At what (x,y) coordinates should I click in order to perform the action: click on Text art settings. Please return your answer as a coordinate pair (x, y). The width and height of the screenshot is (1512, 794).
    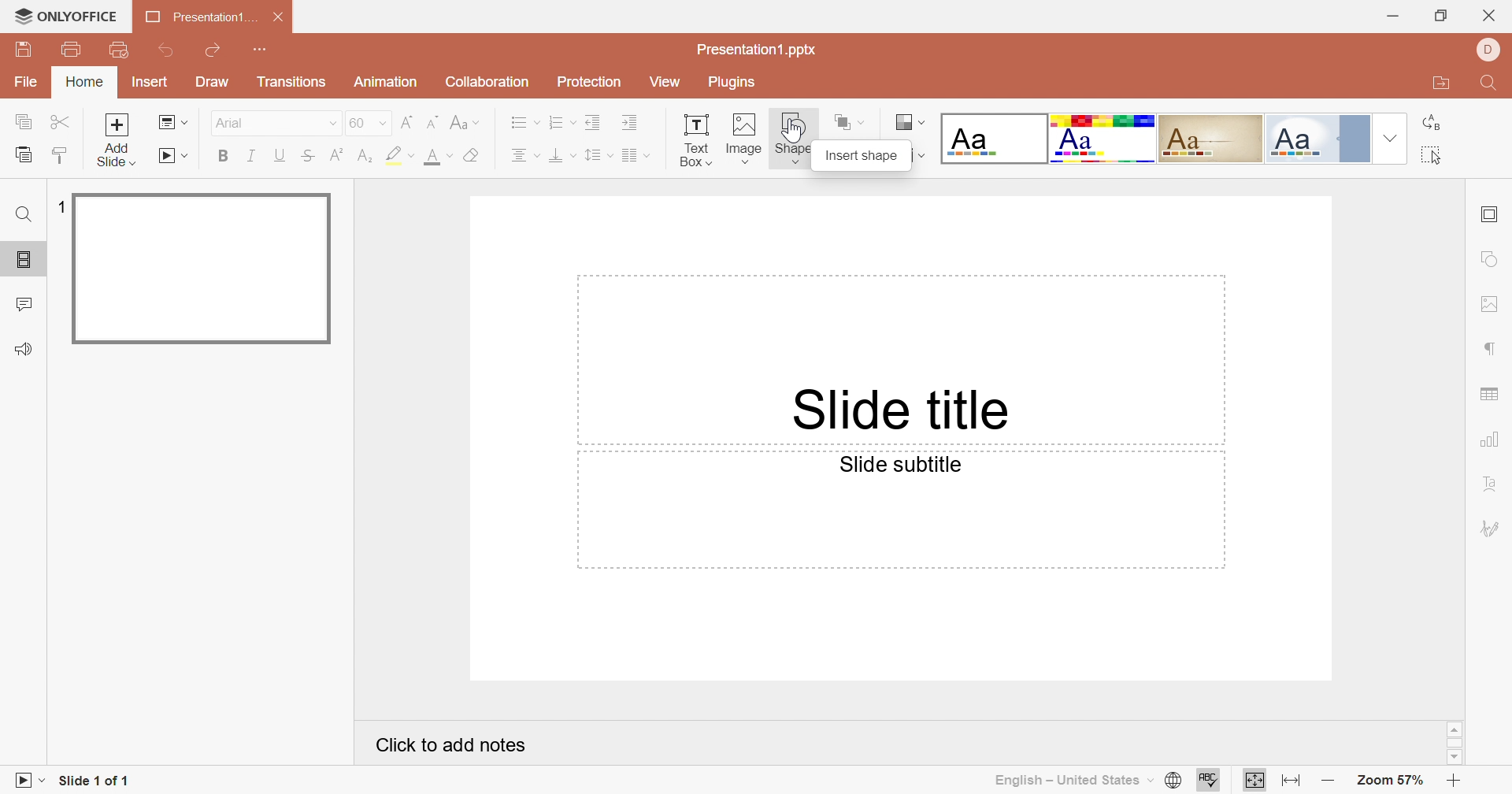
    Looking at the image, I should click on (1491, 483).